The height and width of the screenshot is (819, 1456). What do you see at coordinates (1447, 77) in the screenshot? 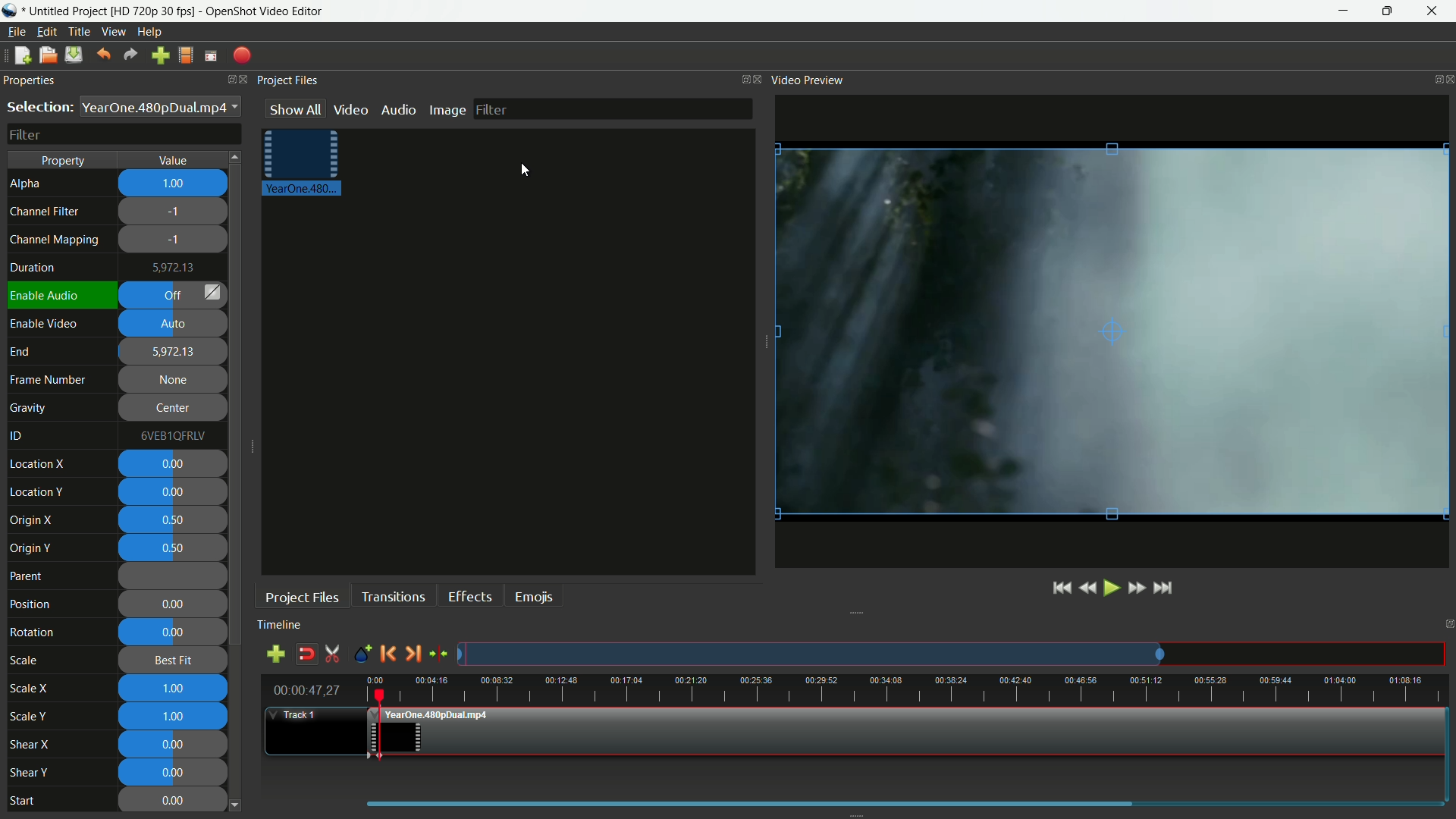
I see `close video preview` at bounding box center [1447, 77].